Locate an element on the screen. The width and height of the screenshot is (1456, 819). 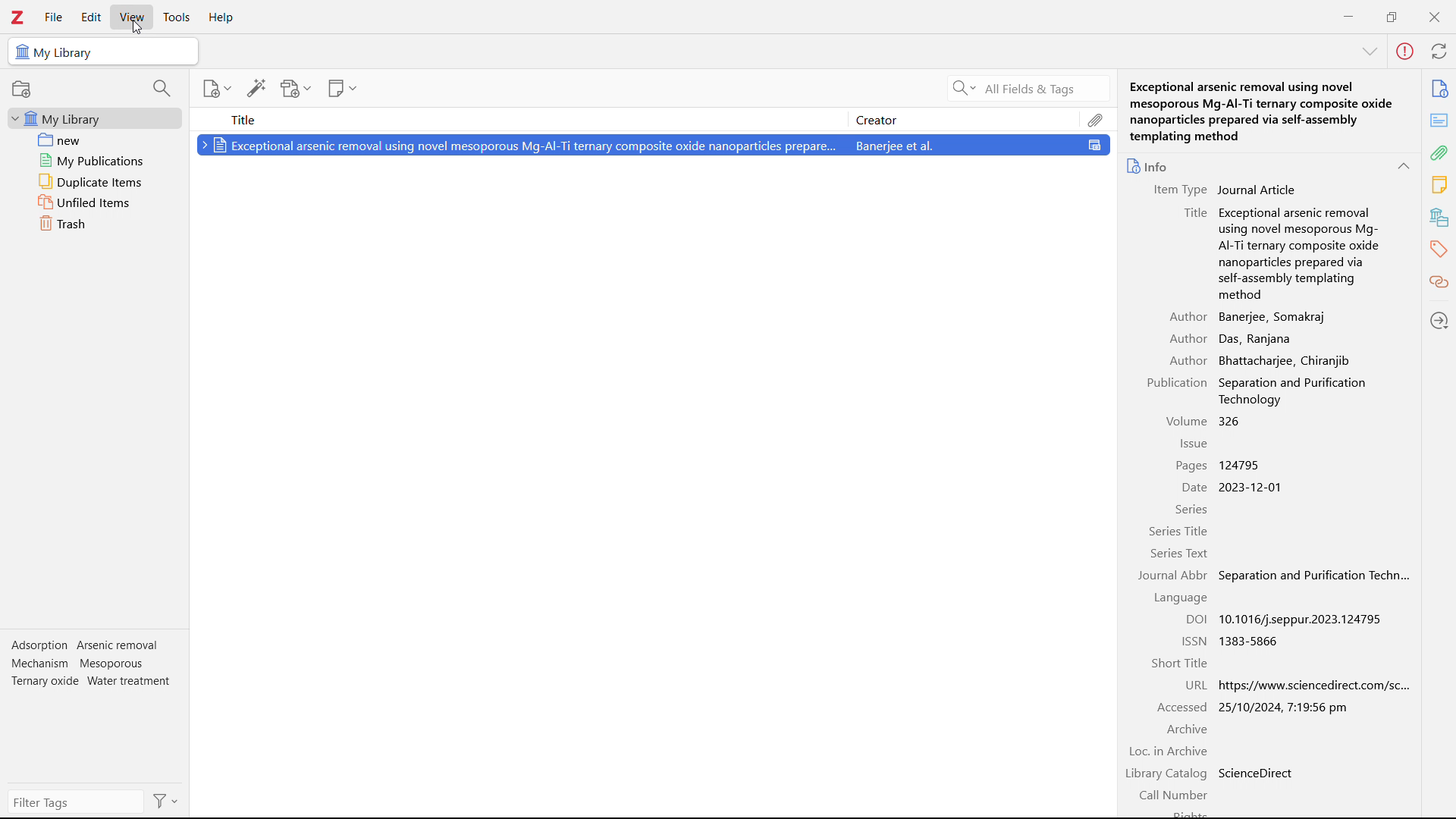
abstract is located at coordinates (1439, 121).